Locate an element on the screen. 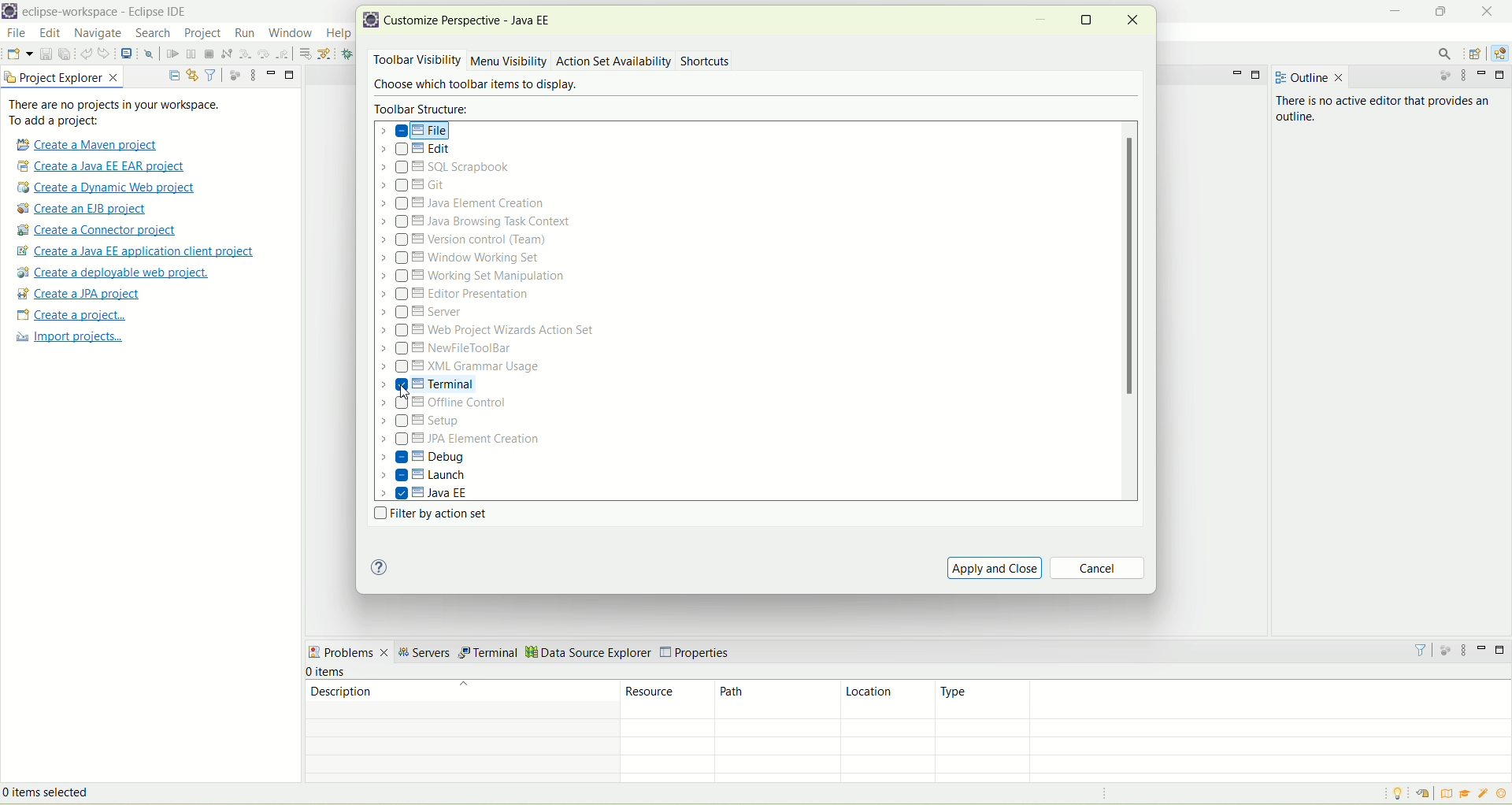  create a deployable web project is located at coordinates (111, 273).